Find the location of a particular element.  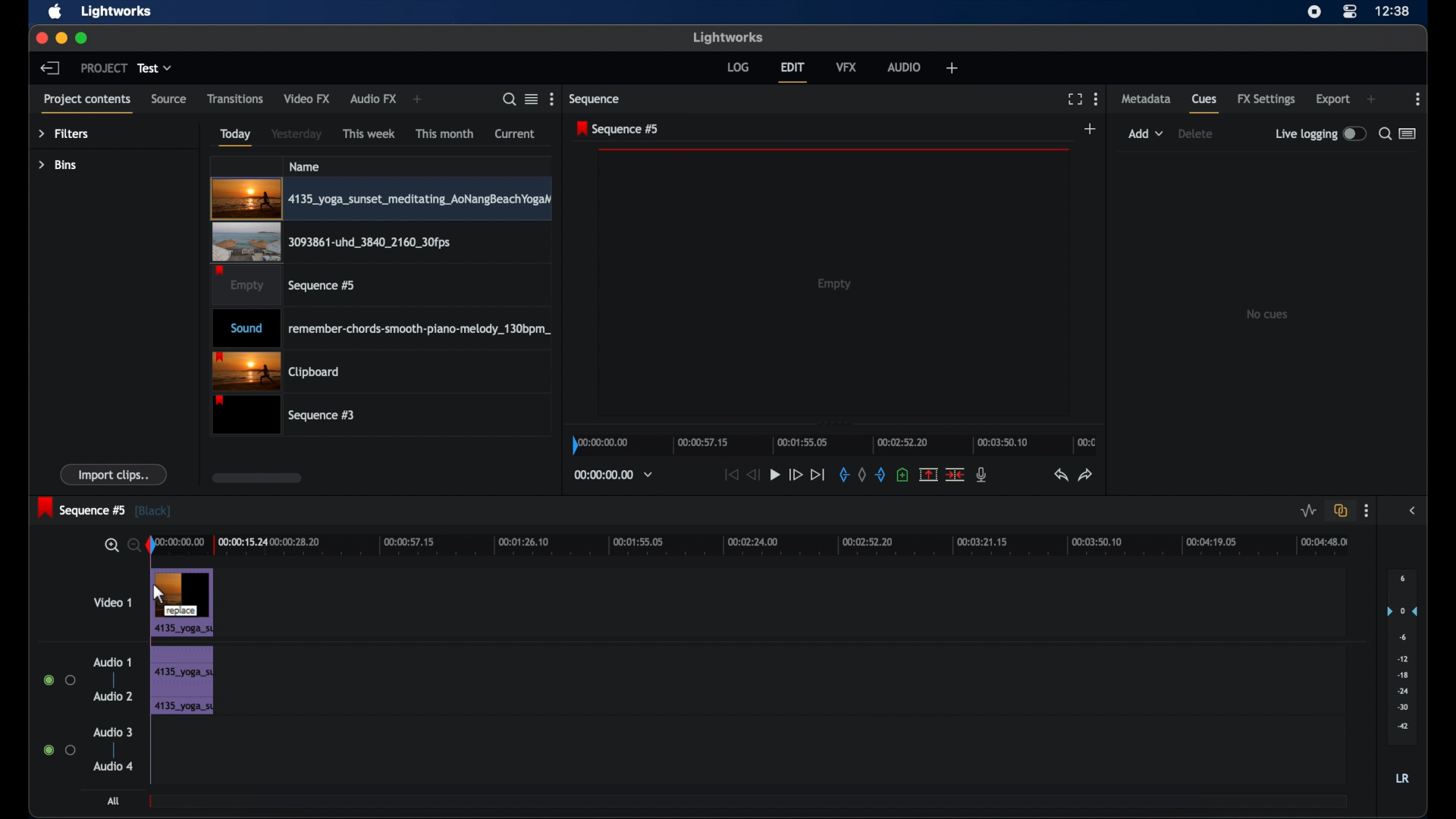

lightworks is located at coordinates (118, 11).